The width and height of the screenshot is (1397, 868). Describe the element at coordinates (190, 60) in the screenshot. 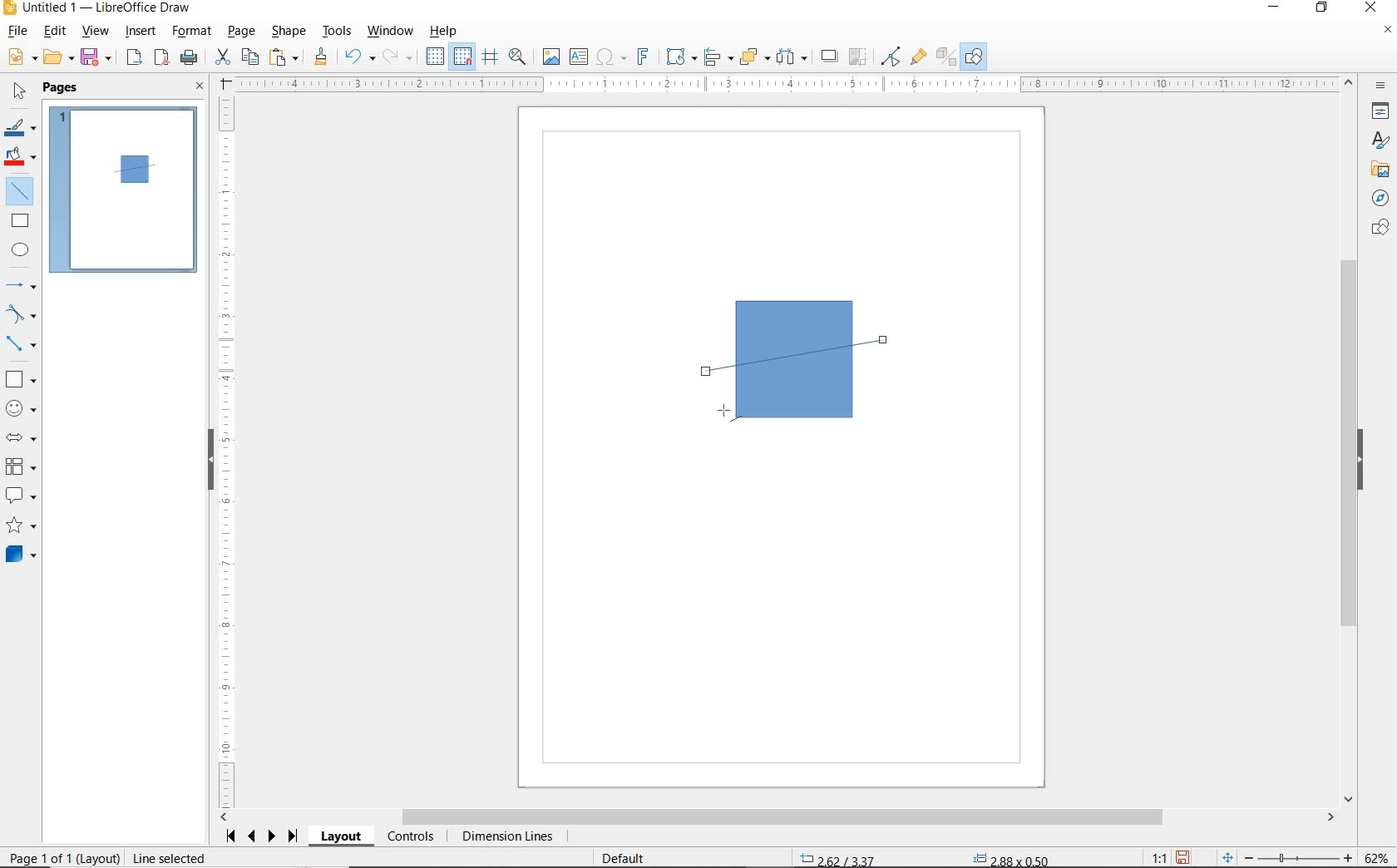

I see `PRINT` at that location.